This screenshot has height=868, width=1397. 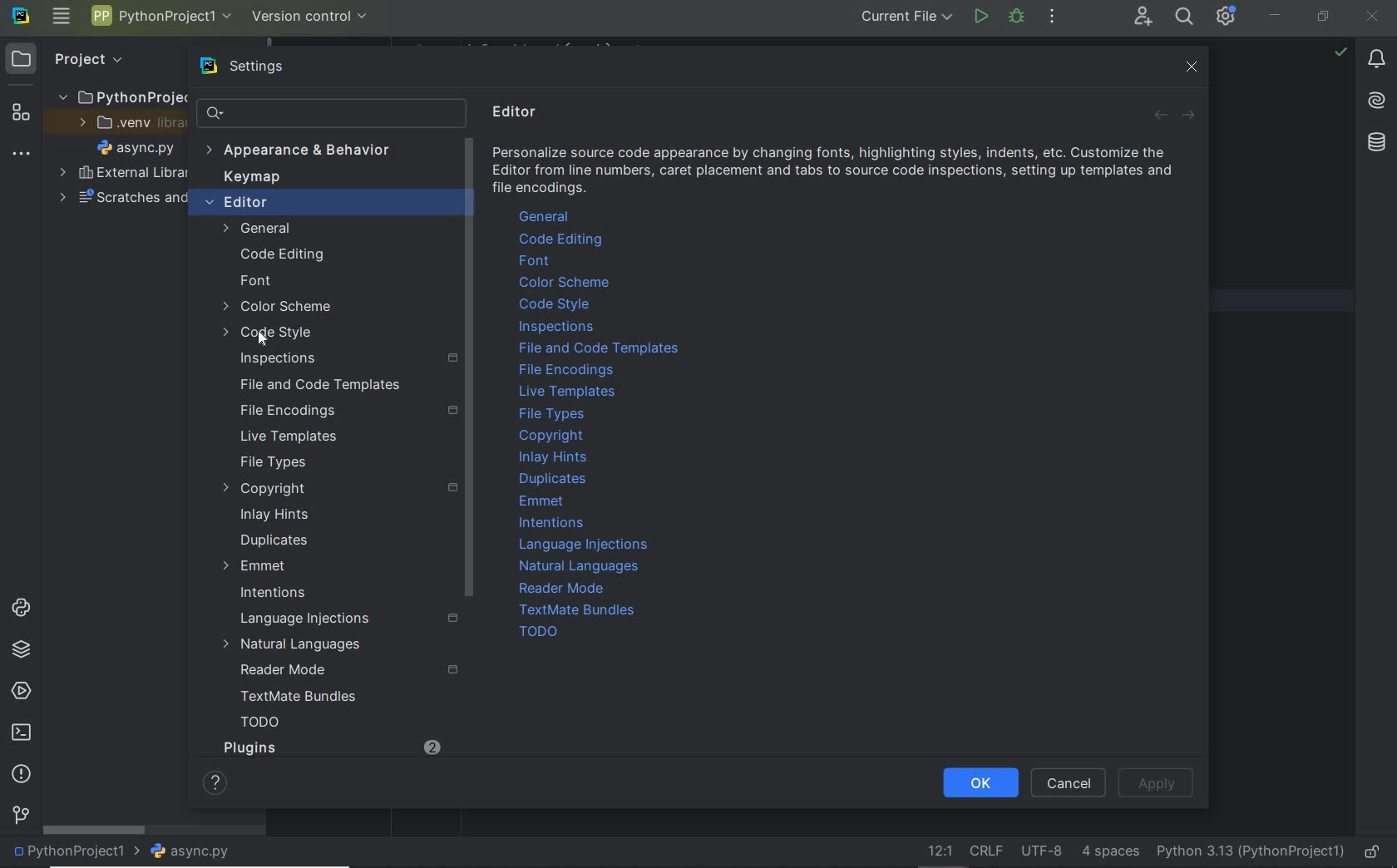 I want to click on more actions, so click(x=1053, y=18).